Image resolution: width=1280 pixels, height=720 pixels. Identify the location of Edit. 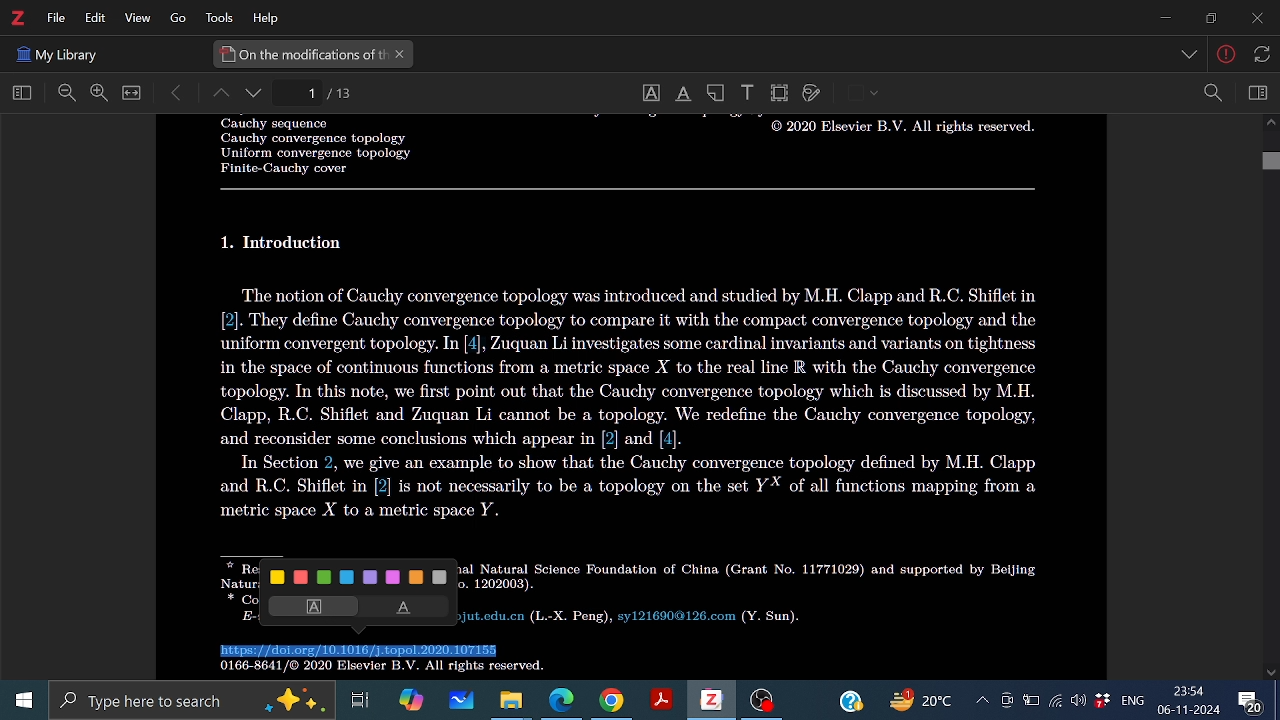
(92, 18).